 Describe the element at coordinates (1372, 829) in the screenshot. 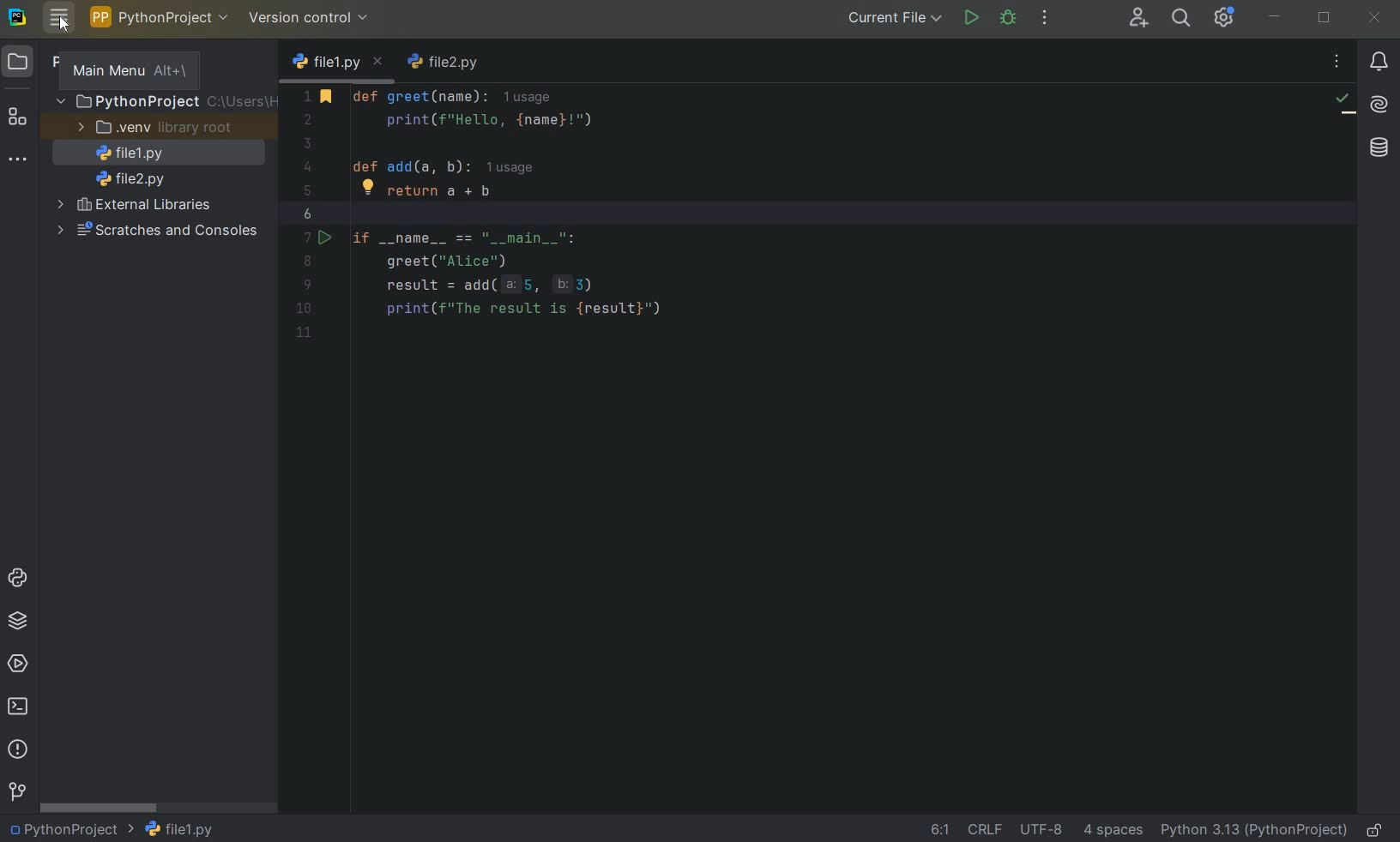

I see `make file ready only` at that location.